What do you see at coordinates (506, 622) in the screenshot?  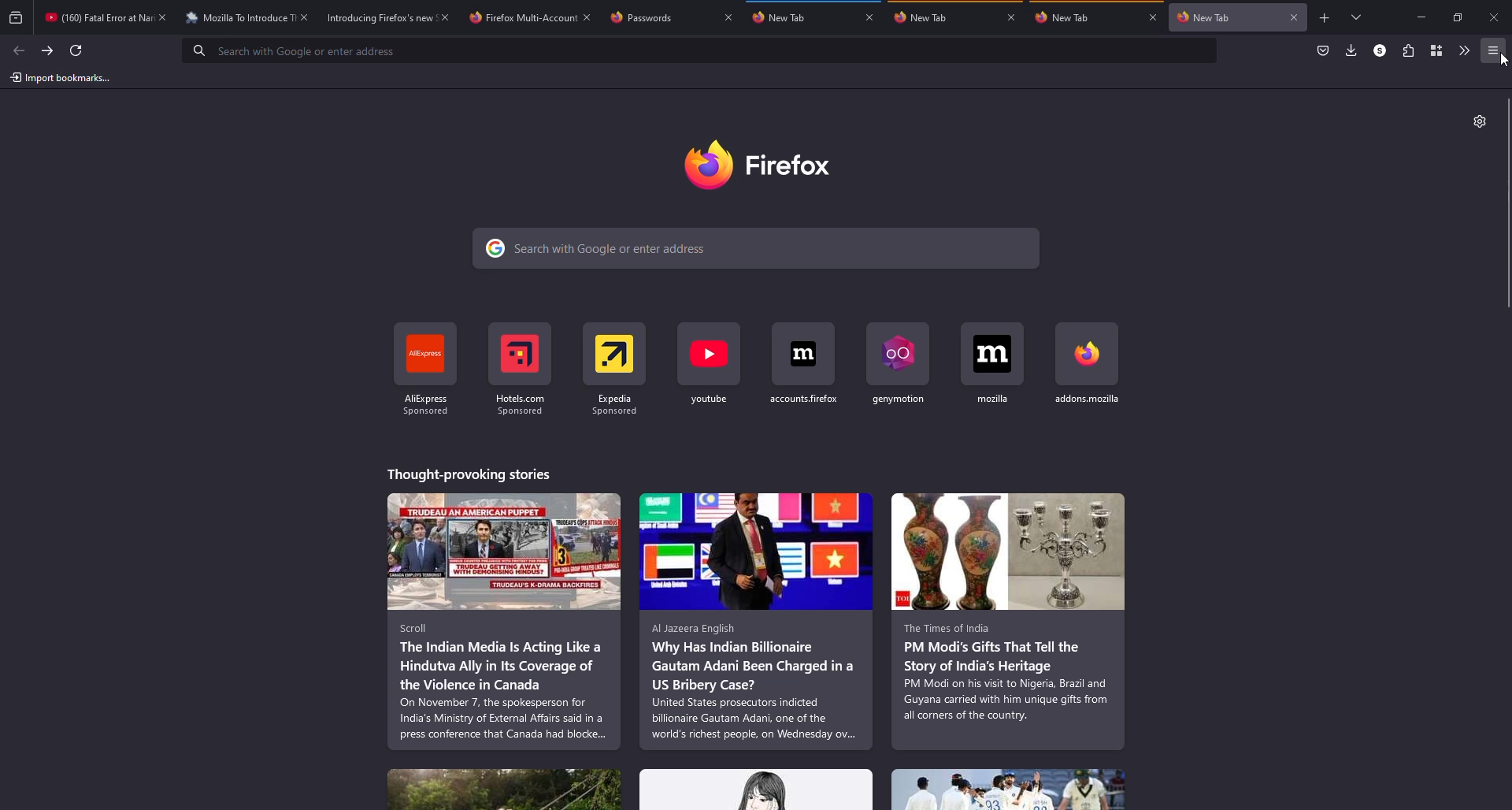 I see `stories` at bounding box center [506, 622].